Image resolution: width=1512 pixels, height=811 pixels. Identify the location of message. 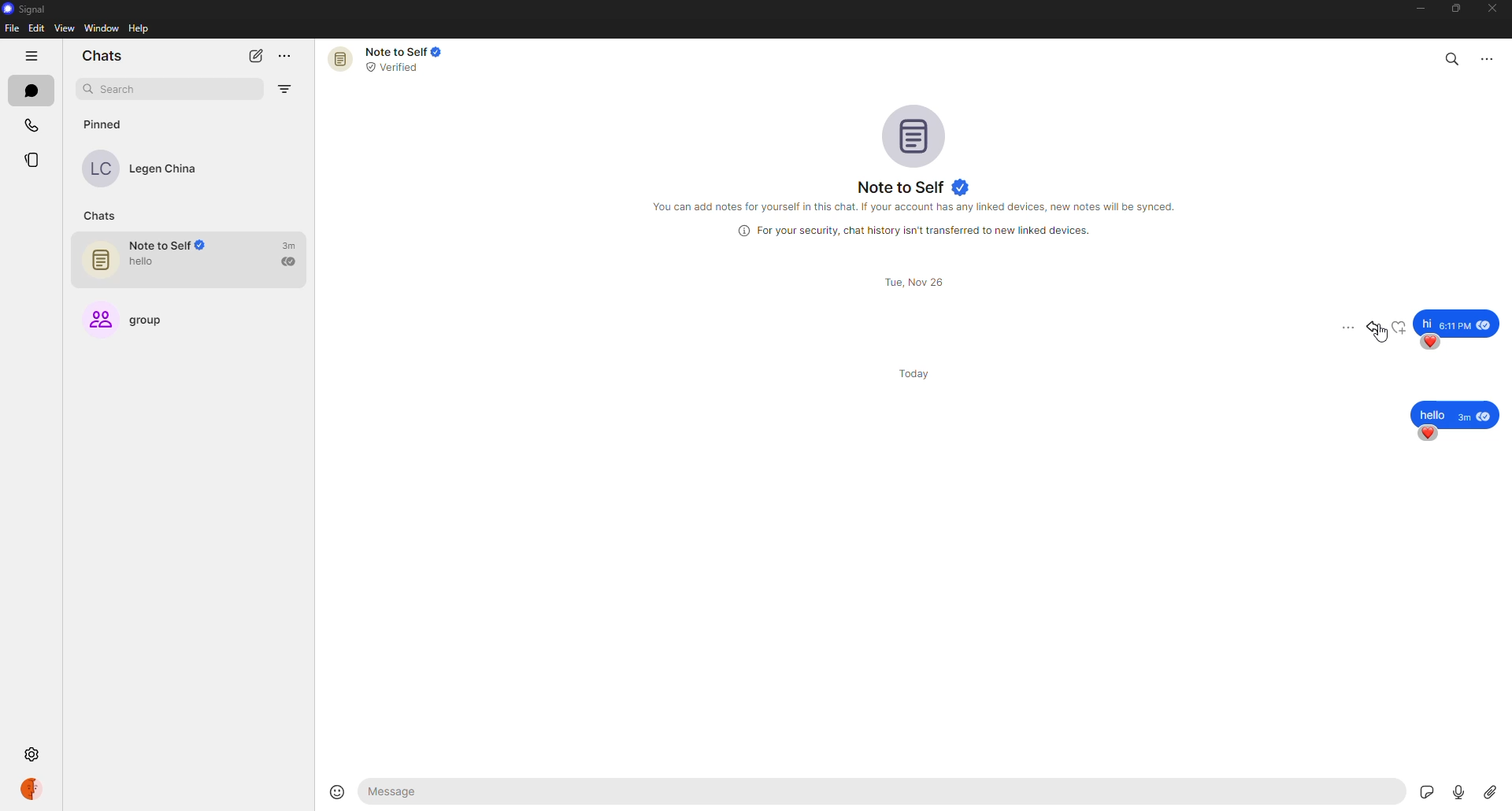
(482, 793).